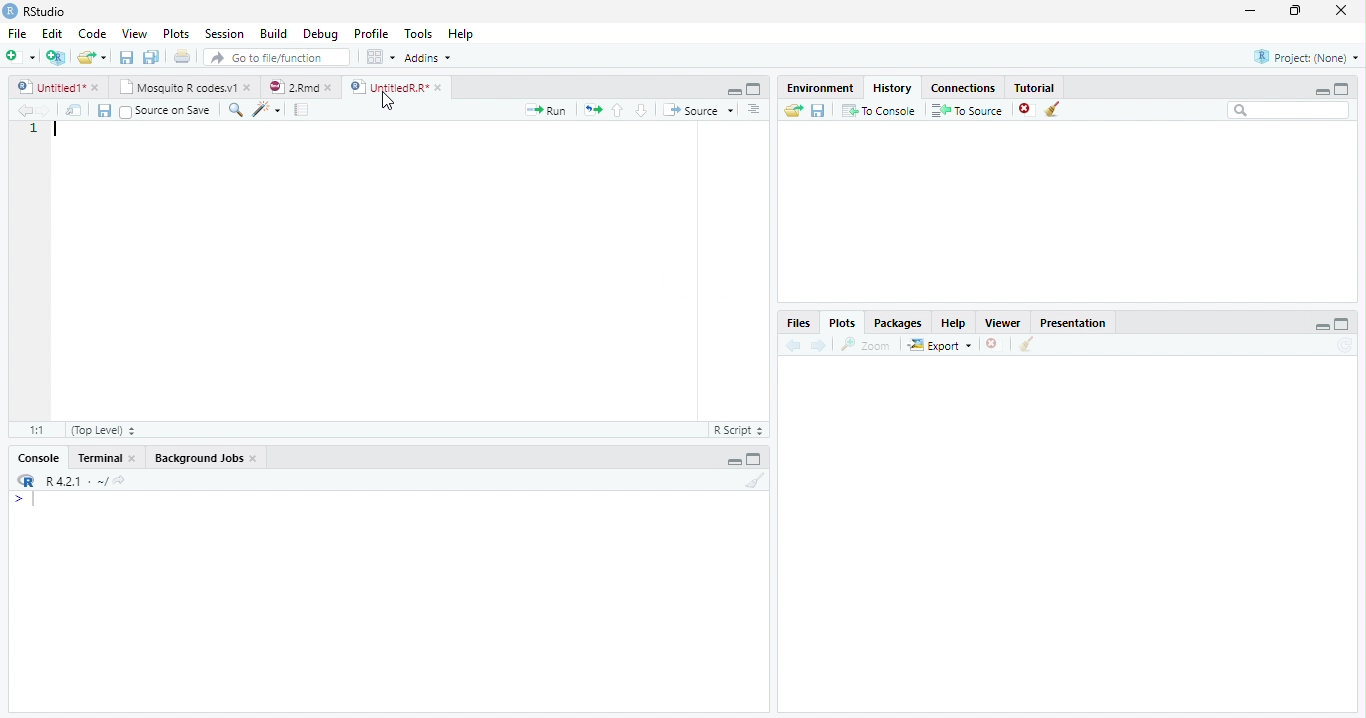  What do you see at coordinates (328, 88) in the screenshot?
I see `close` at bounding box center [328, 88].